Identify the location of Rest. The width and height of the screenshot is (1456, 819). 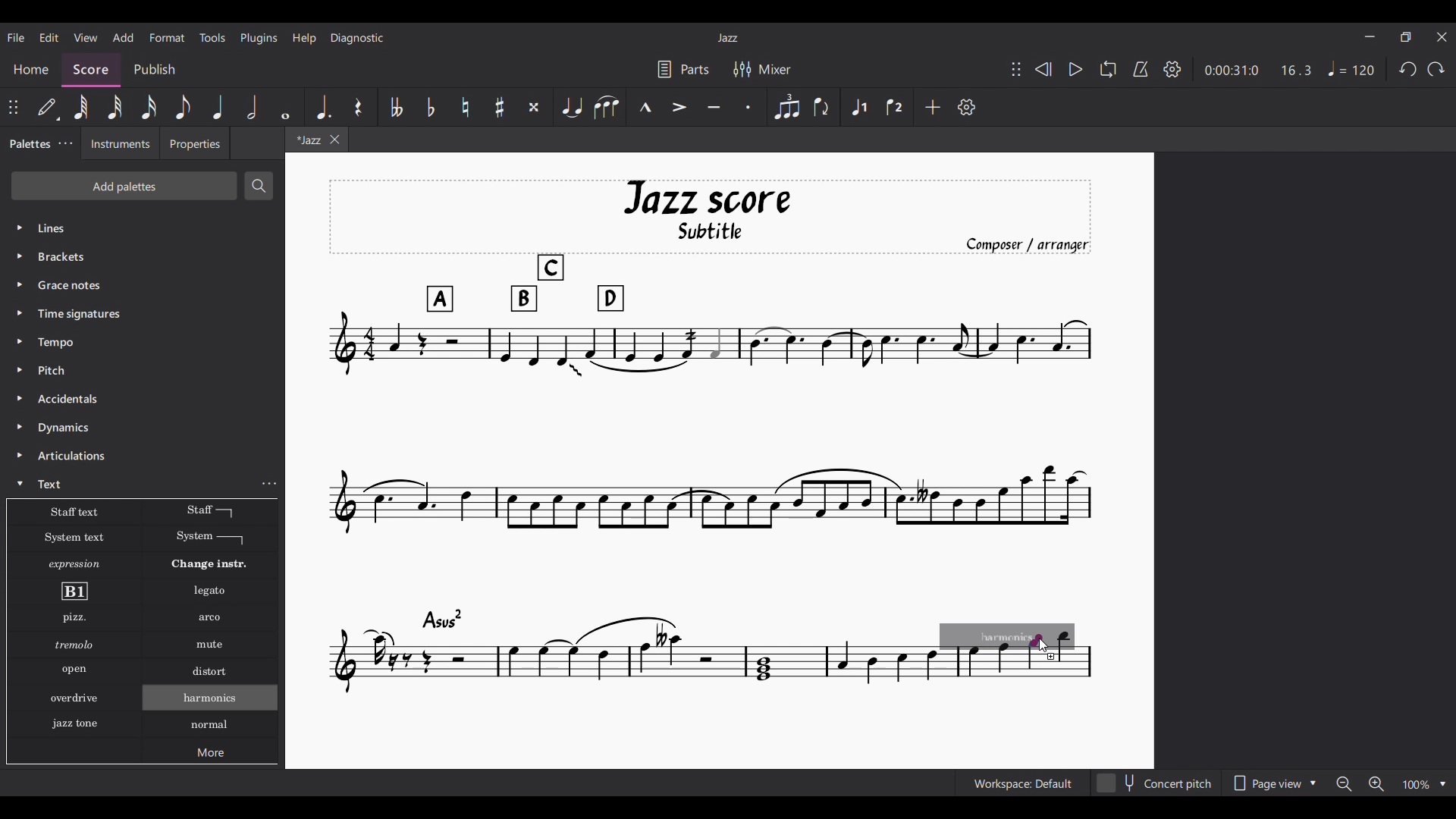
(358, 106).